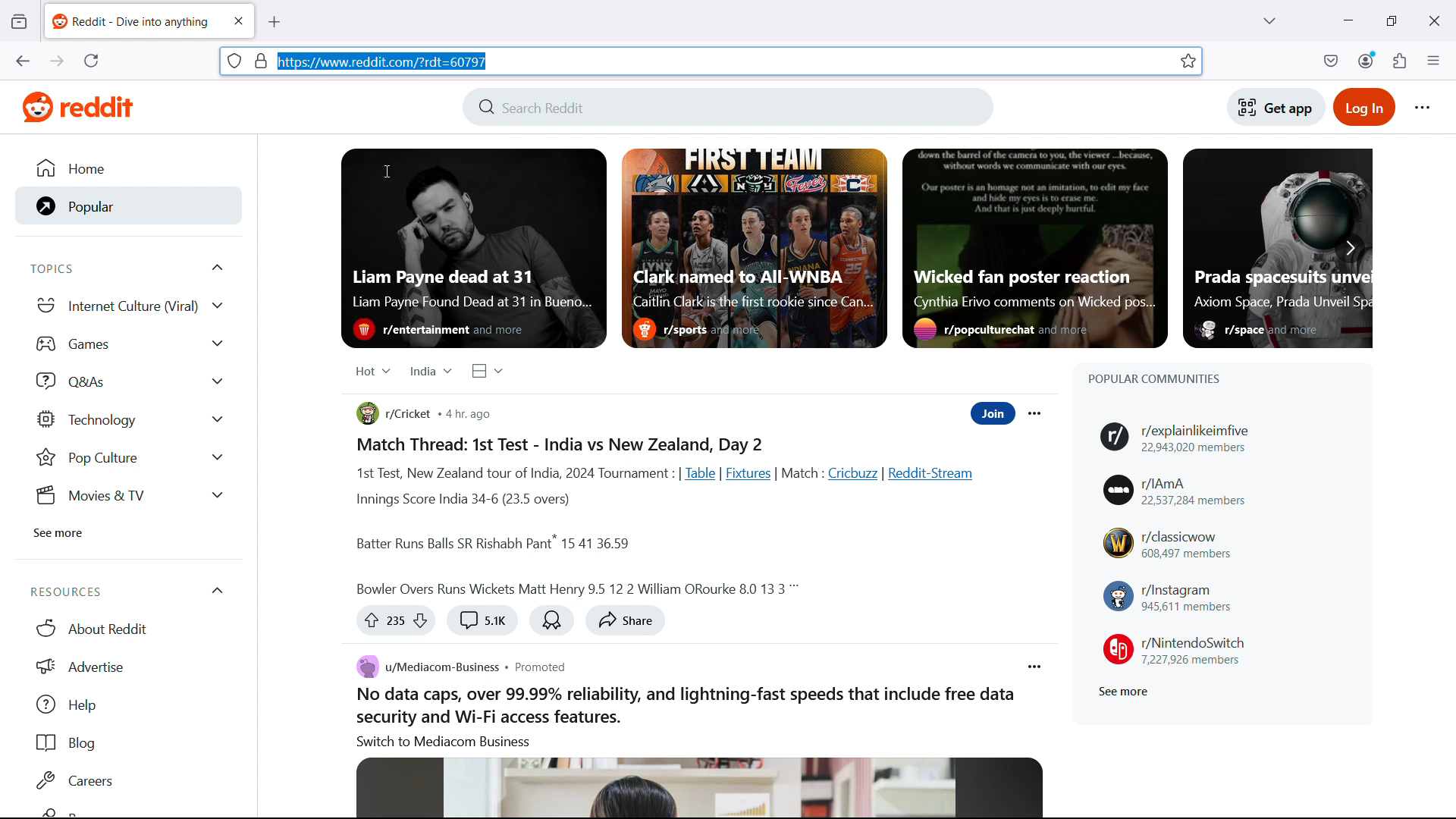 This screenshot has width=1456, height=819. Describe the element at coordinates (126, 628) in the screenshot. I see `About Reddit` at that location.